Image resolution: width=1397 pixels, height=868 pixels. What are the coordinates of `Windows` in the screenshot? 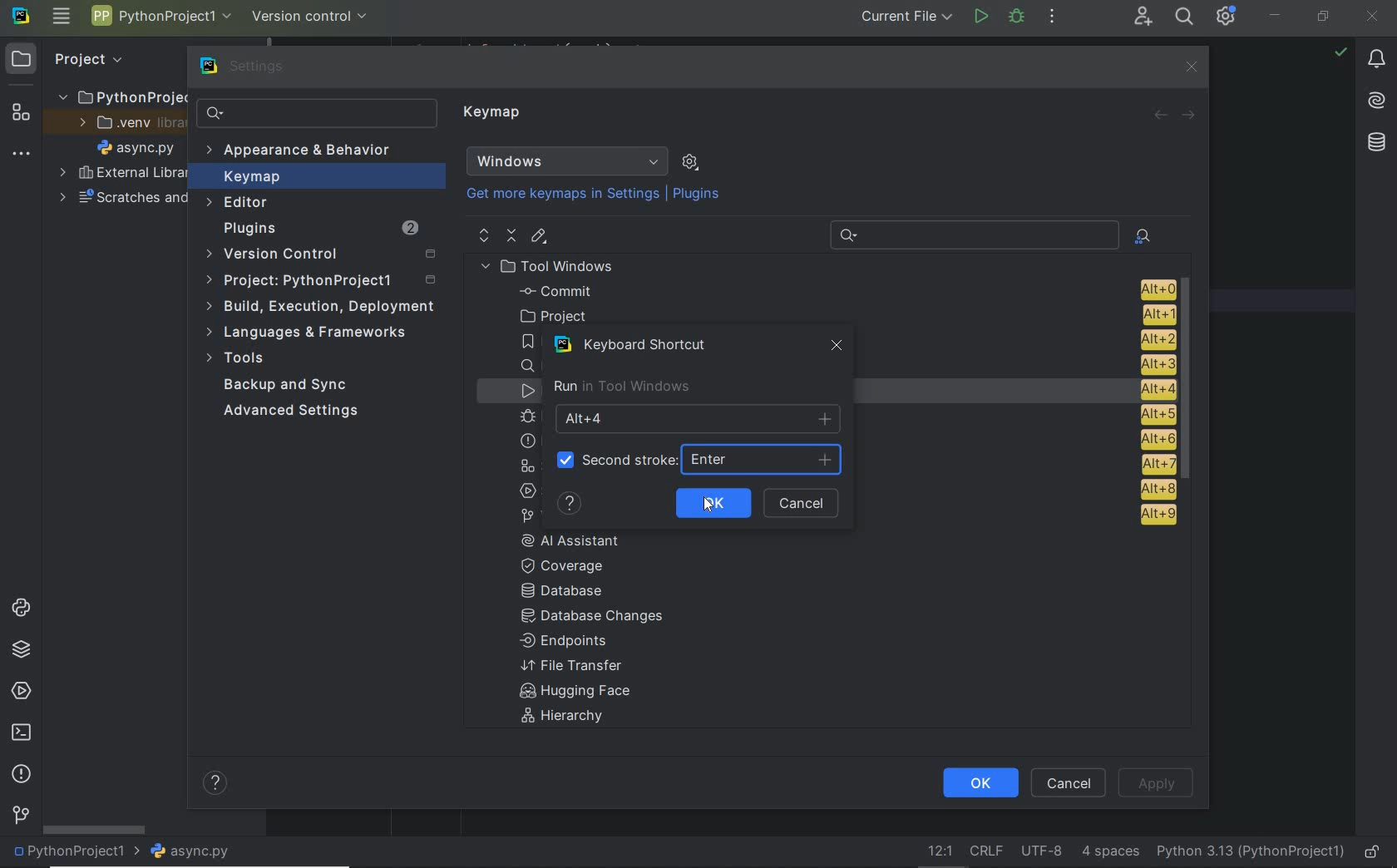 It's located at (567, 161).